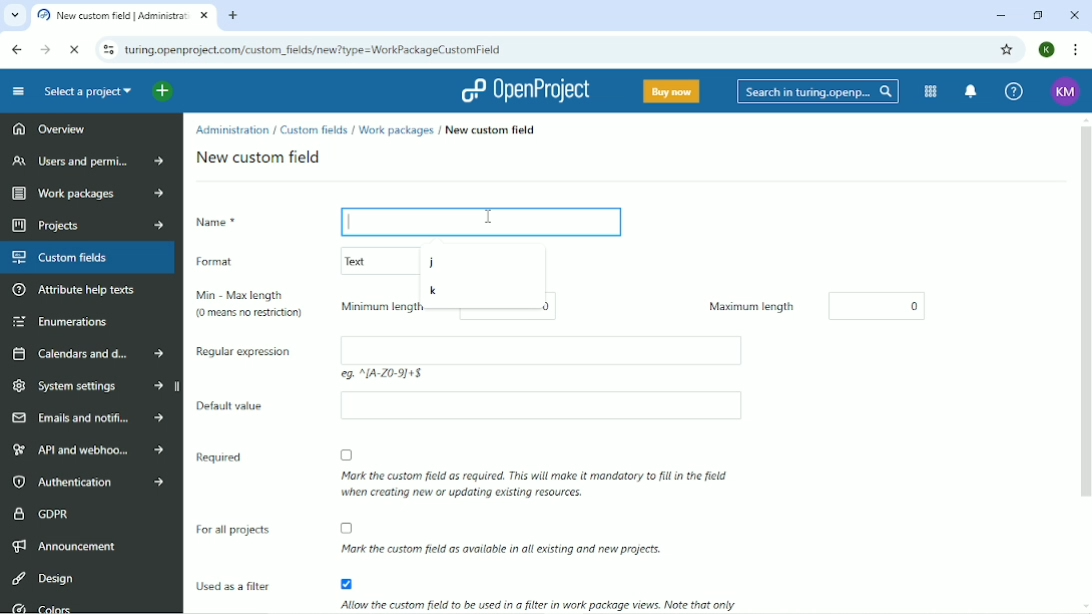 Image resolution: width=1092 pixels, height=614 pixels. I want to click on Mark the custom field as available in all existing and new projects, so click(505, 537).